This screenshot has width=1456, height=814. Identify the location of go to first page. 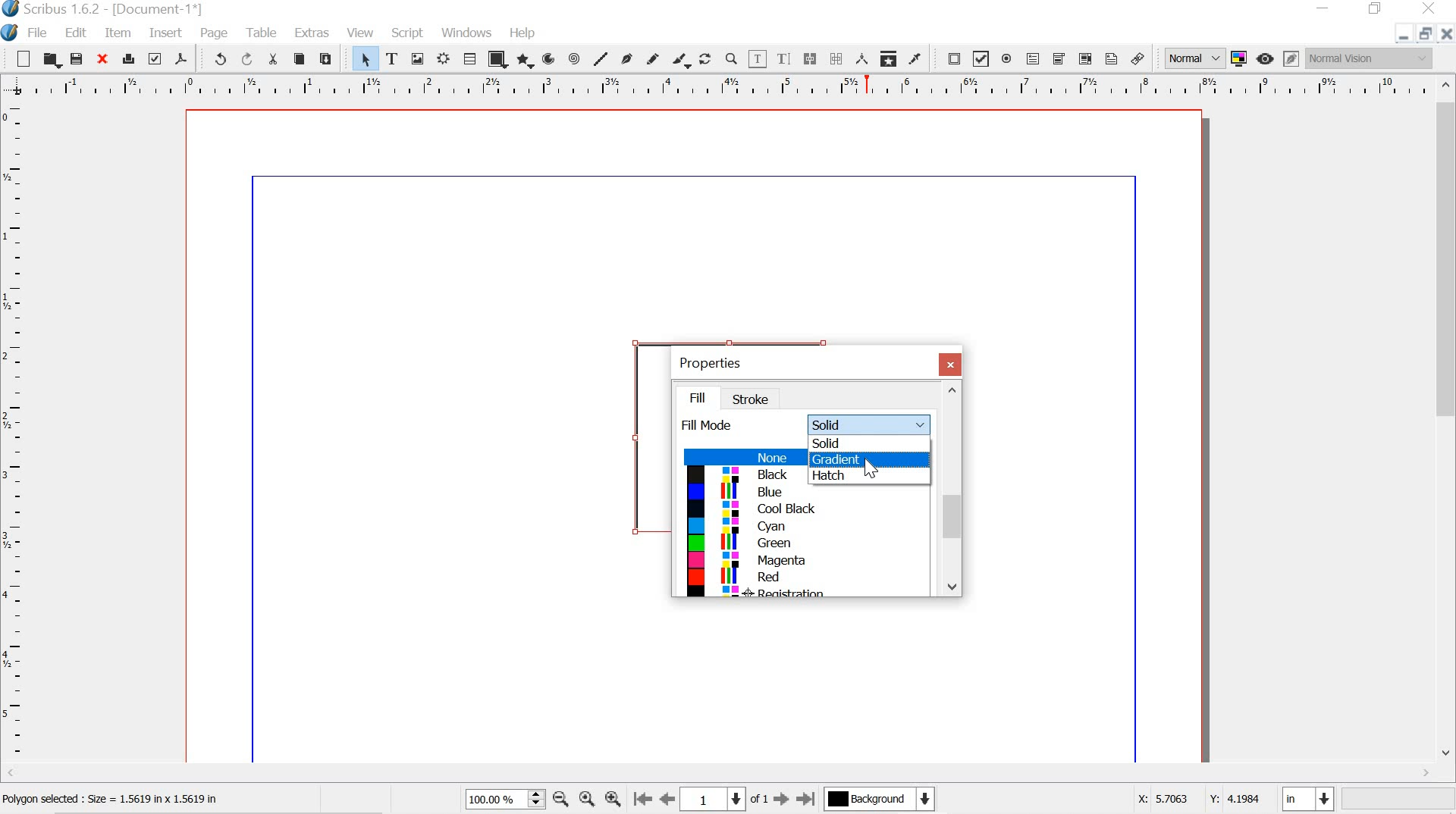
(644, 801).